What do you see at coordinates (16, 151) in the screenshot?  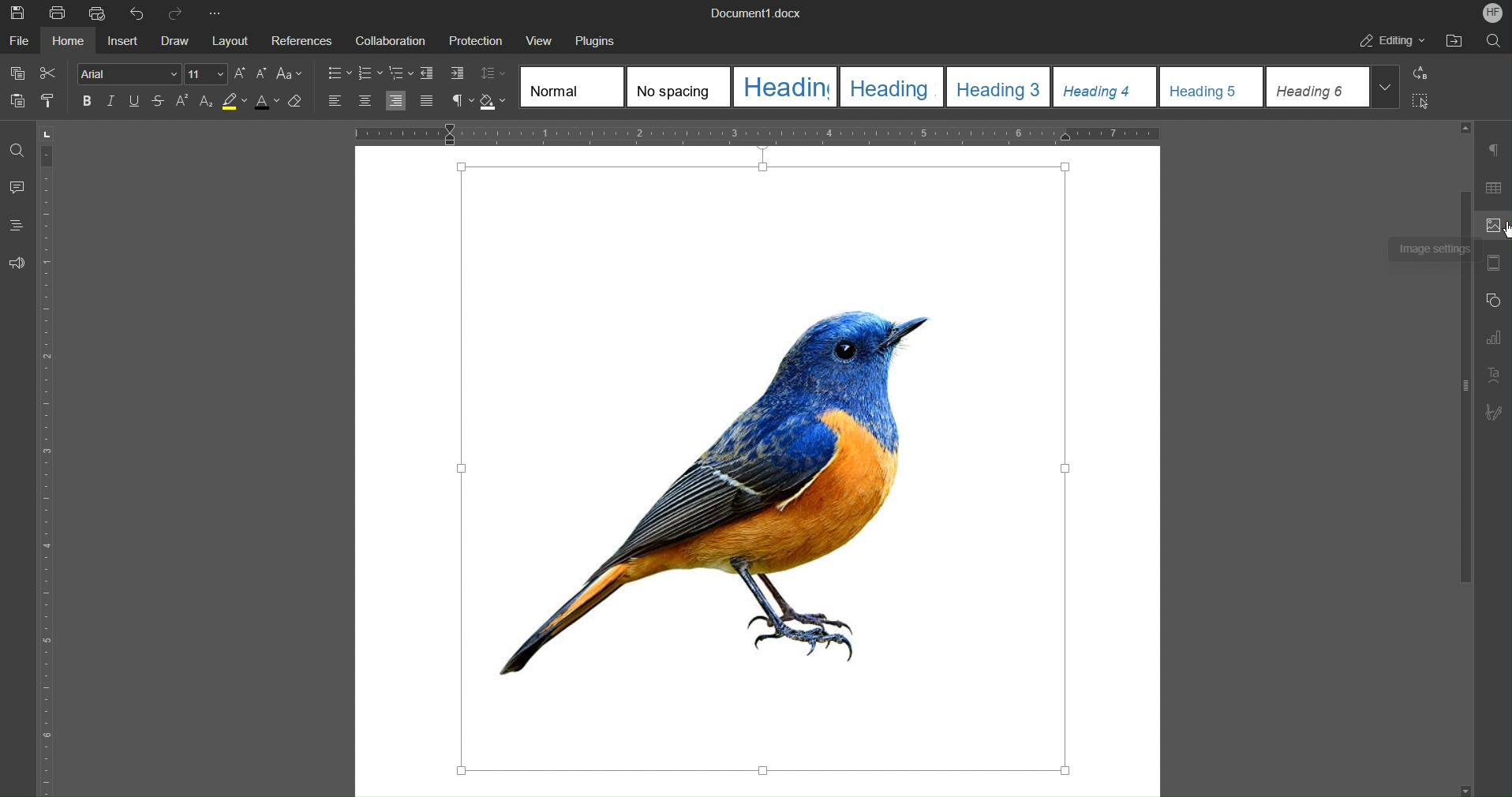 I see `Find` at bounding box center [16, 151].